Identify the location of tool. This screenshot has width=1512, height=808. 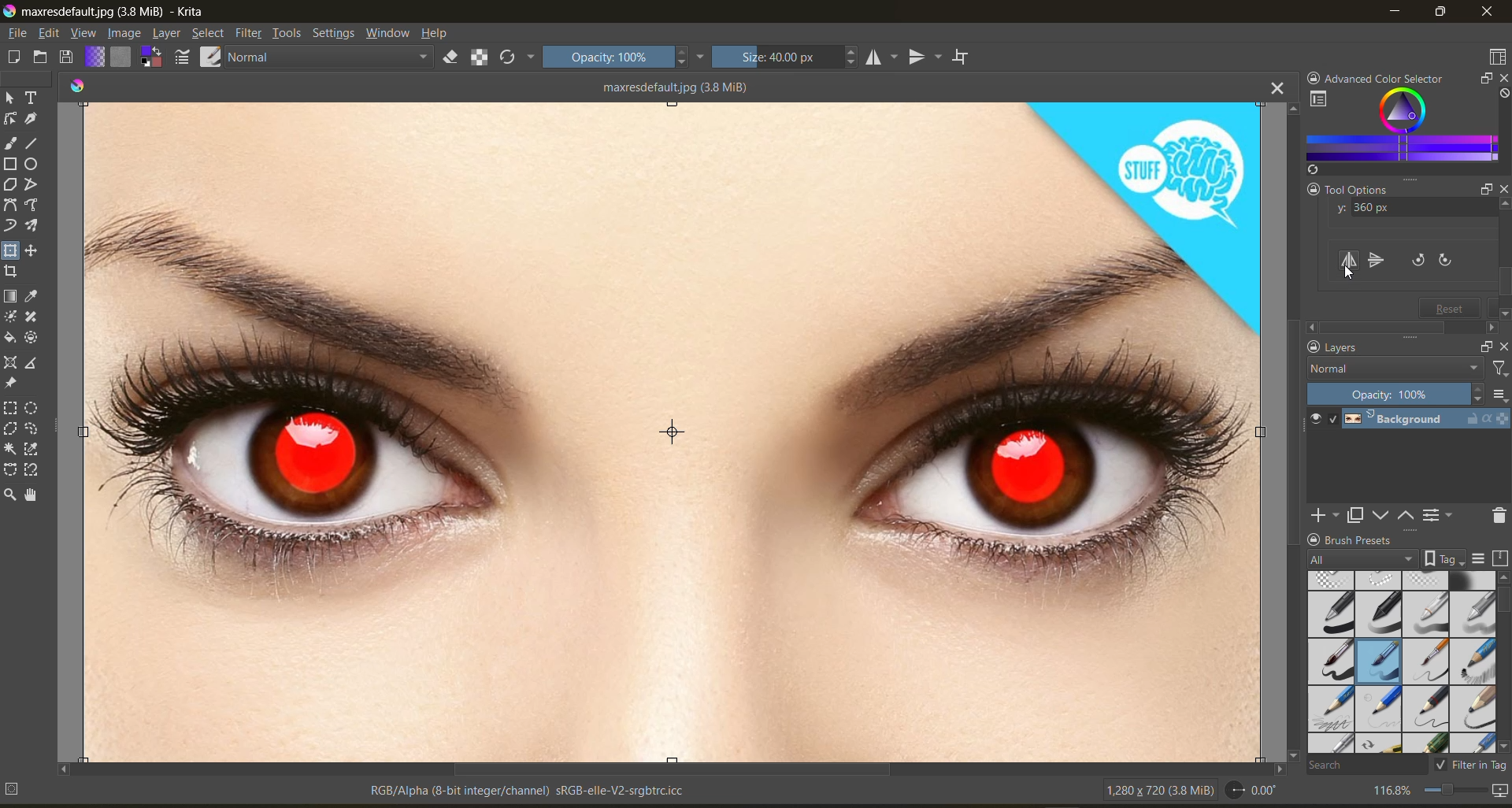
(10, 297).